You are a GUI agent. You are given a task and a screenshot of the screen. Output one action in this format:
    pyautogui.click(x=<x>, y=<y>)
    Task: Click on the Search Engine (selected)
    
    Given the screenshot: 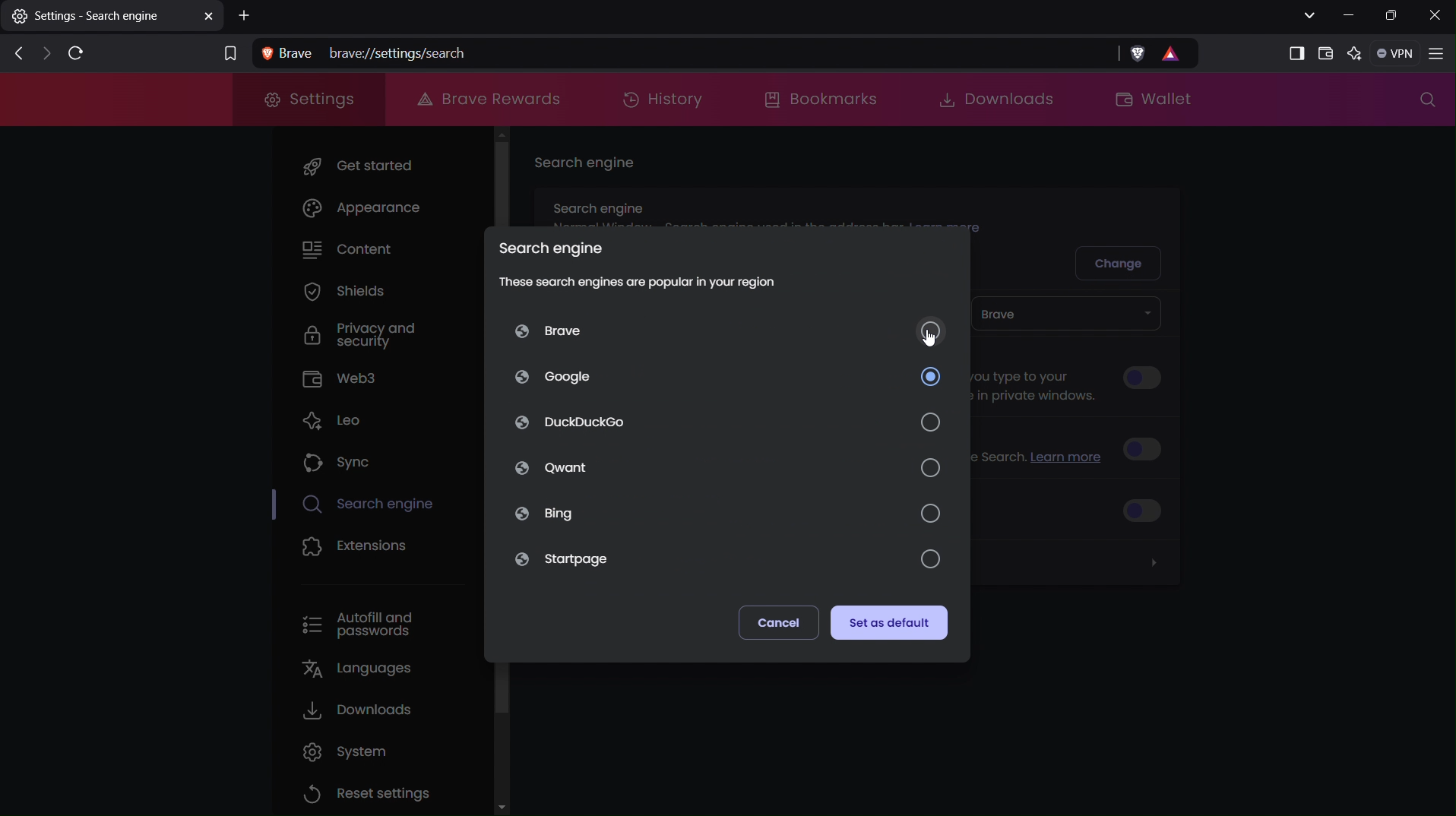 What is the action you would take?
    pyautogui.click(x=380, y=505)
    